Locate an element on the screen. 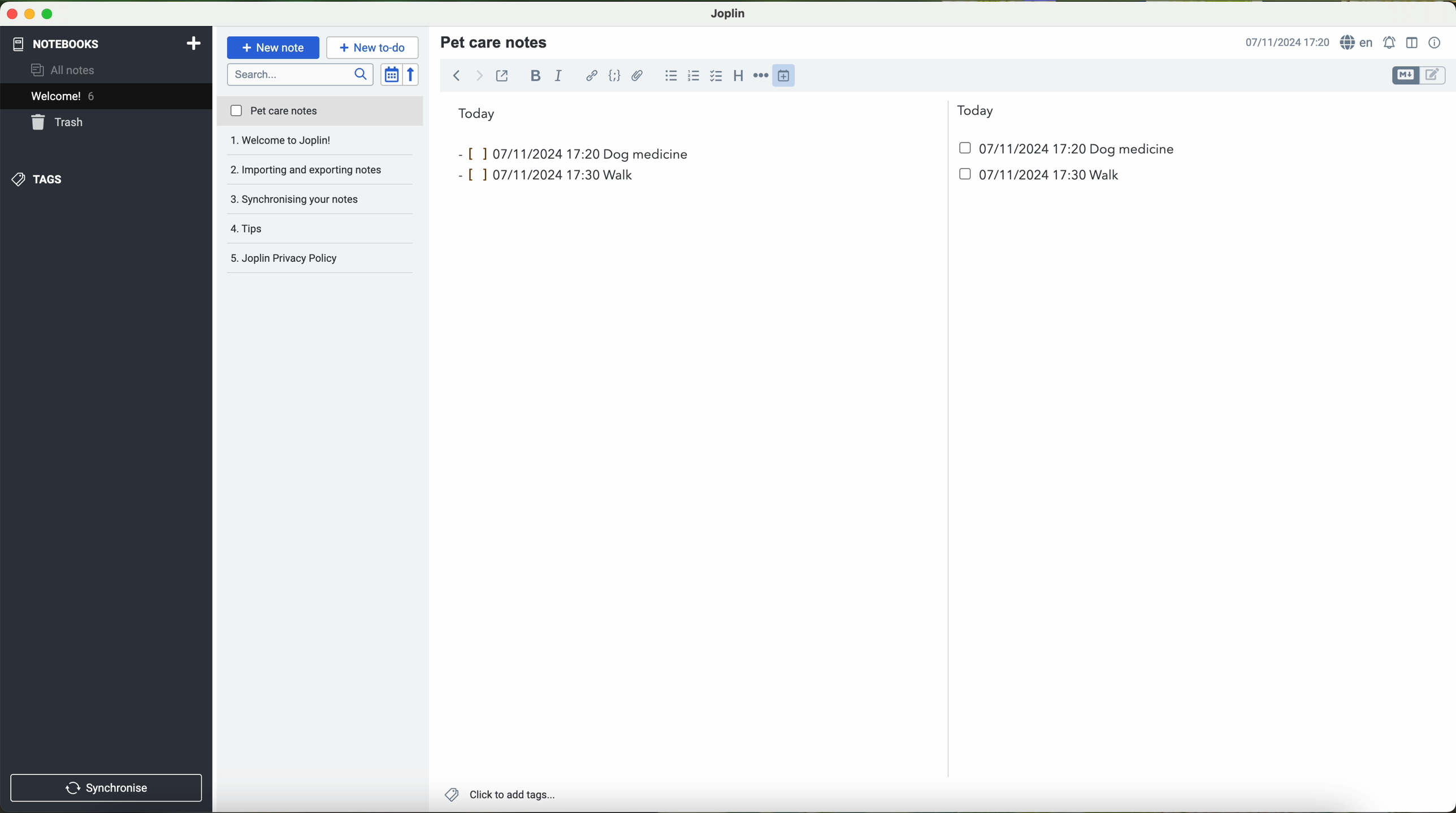 The image size is (1456, 813). italic is located at coordinates (557, 76).